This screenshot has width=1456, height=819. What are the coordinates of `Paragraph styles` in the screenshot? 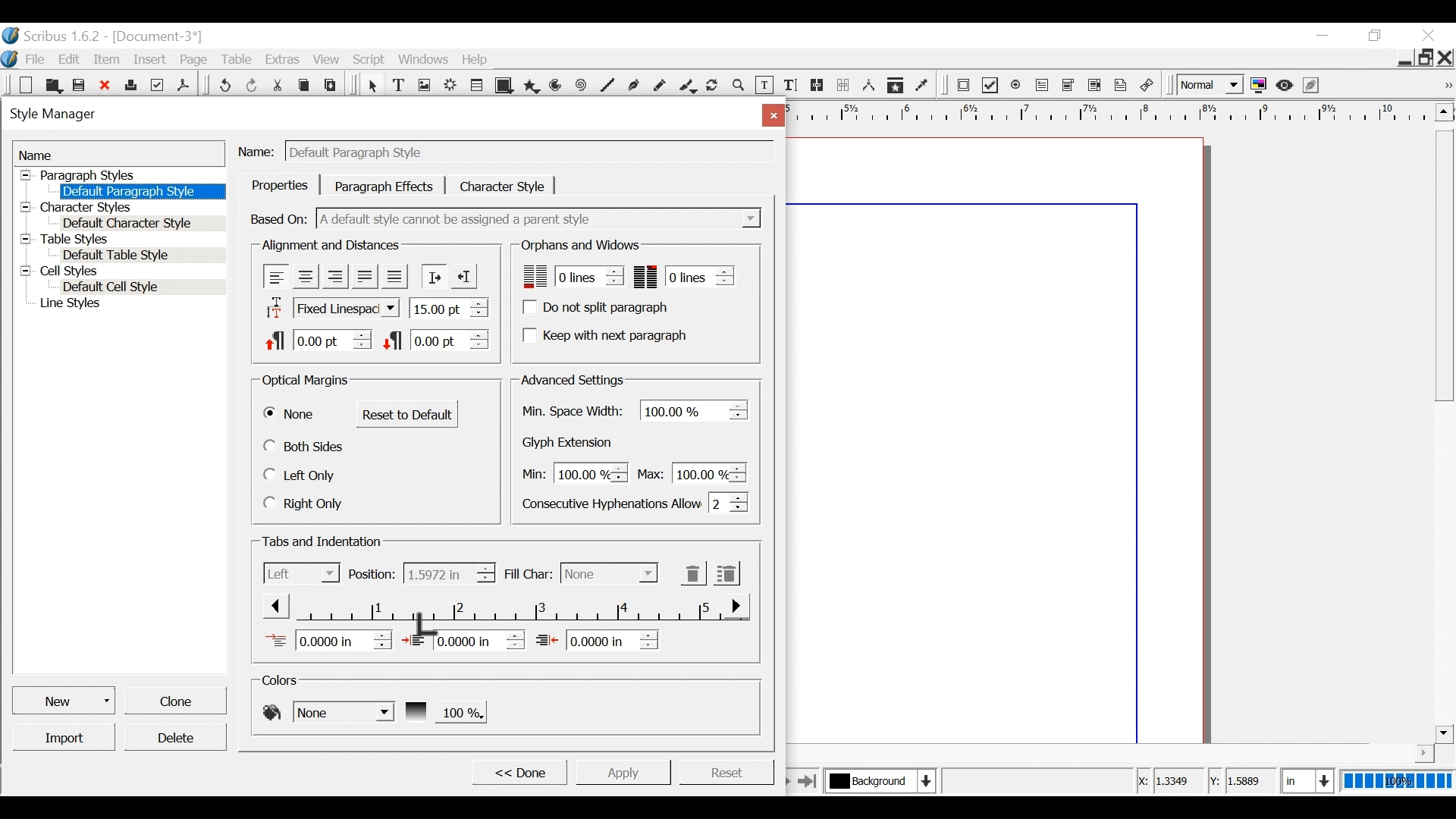 It's located at (121, 175).